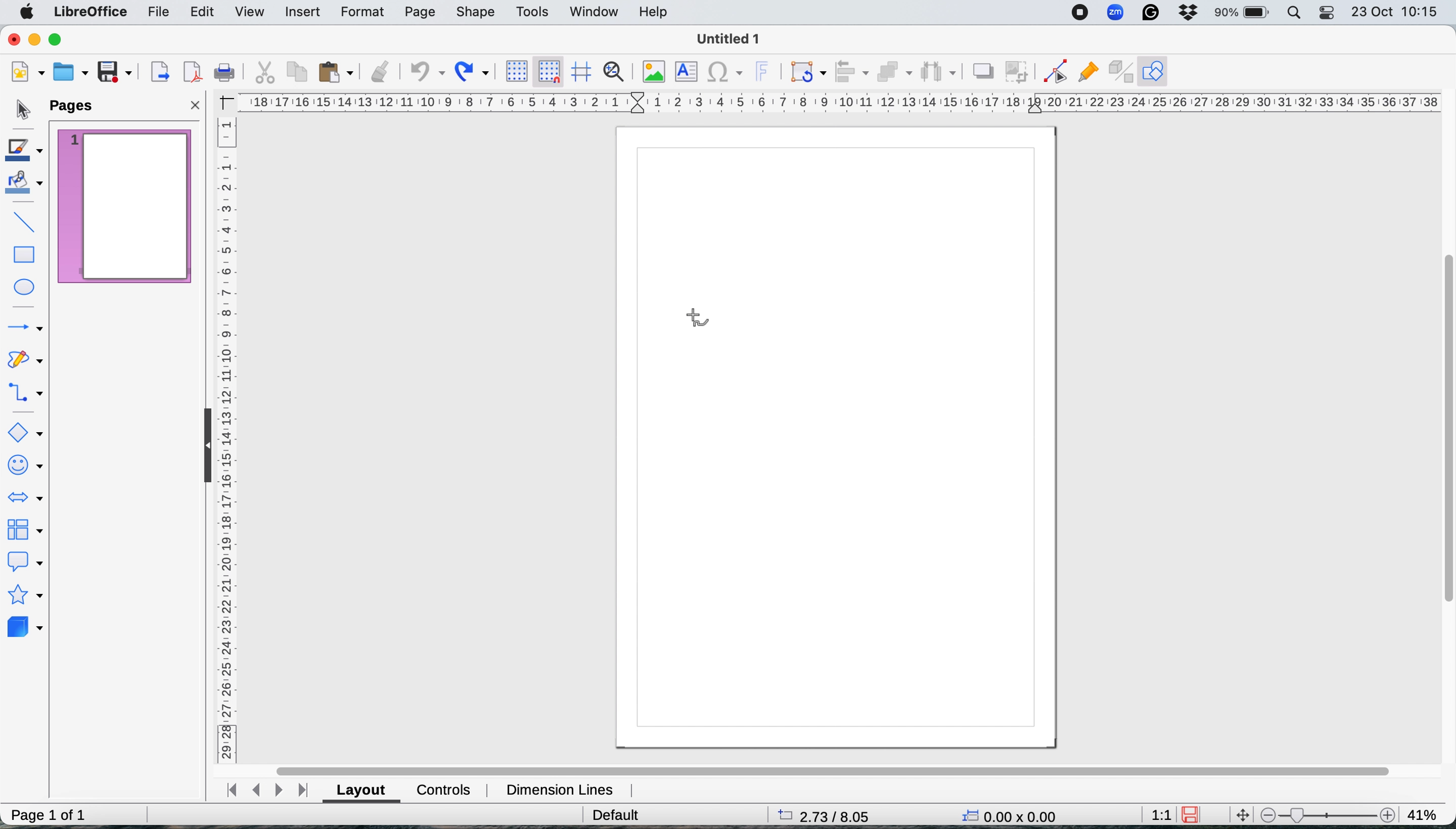  What do you see at coordinates (1019, 73) in the screenshot?
I see `crop image` at bounding box center [1019, 73].